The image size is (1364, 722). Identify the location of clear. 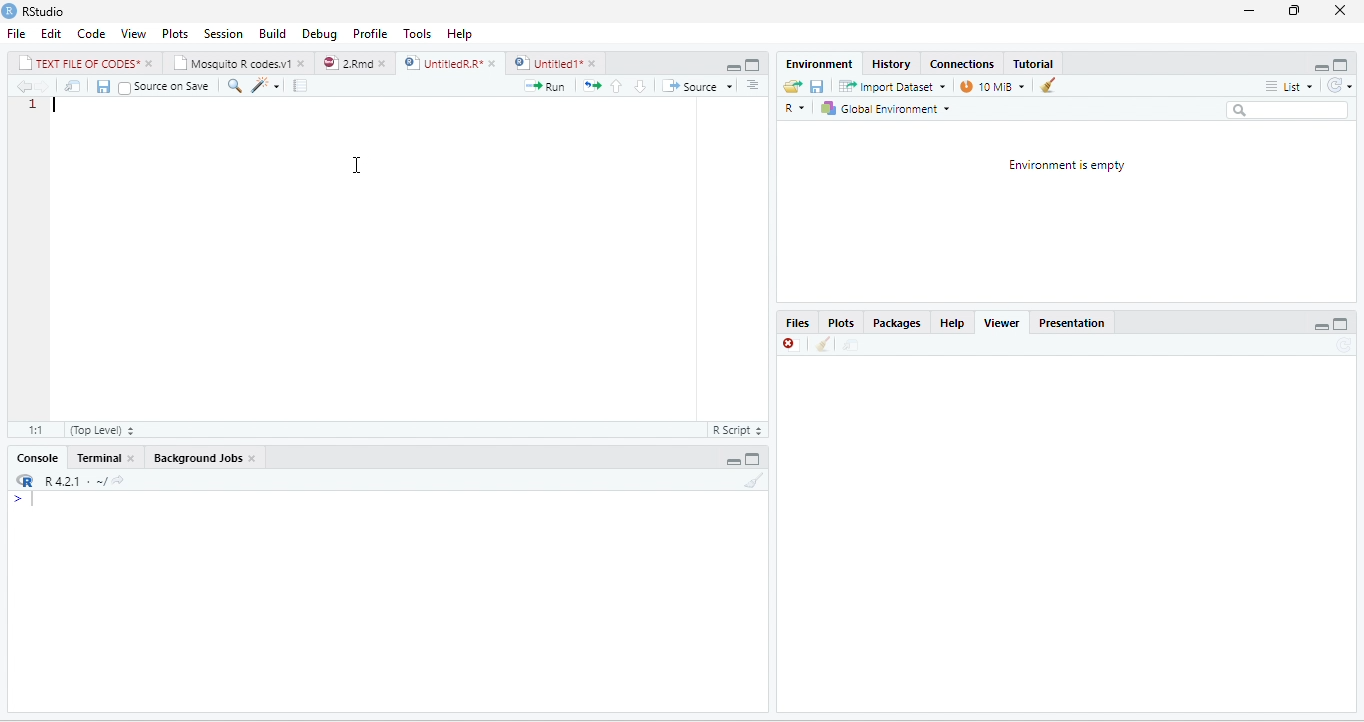
(754, 481).